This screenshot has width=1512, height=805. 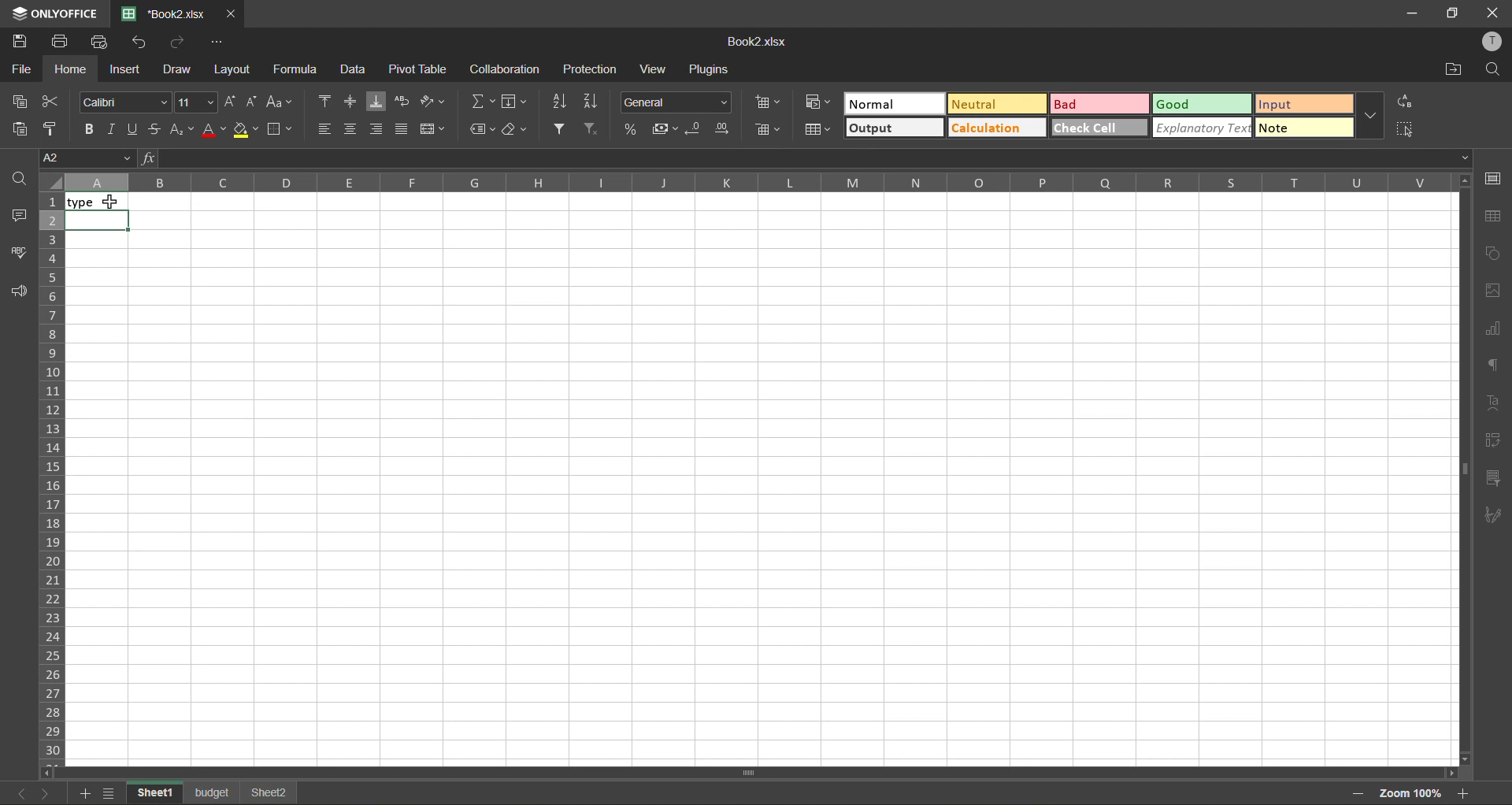 I want to click on formula bar, so click(x=809, y=158).